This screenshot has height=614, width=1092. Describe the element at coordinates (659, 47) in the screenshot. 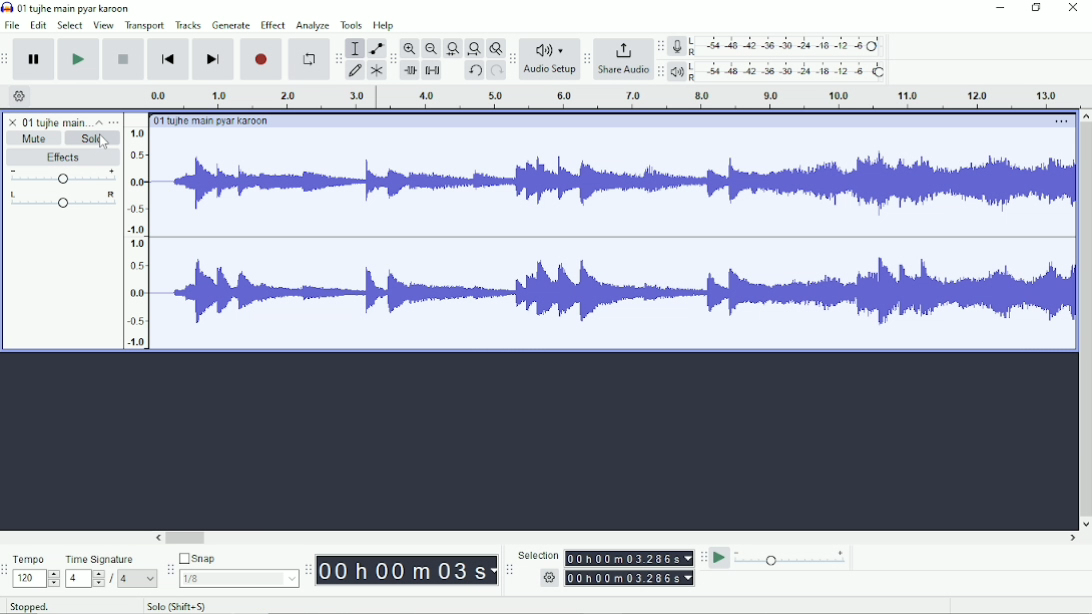

I see `Audacity recording meter toolbar ` at that location.